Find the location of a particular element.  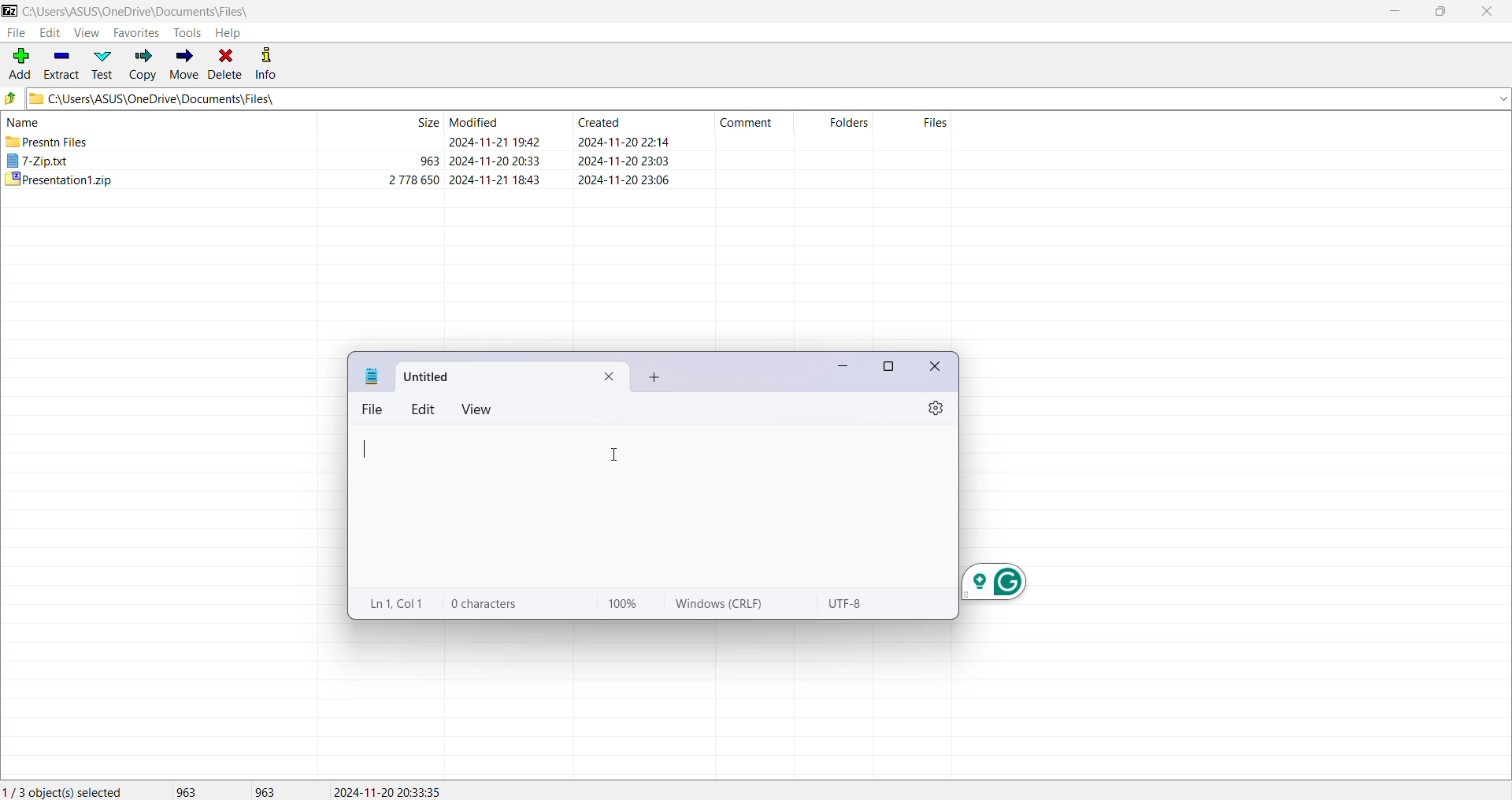

add new tab is located at coordinates (655, 377).